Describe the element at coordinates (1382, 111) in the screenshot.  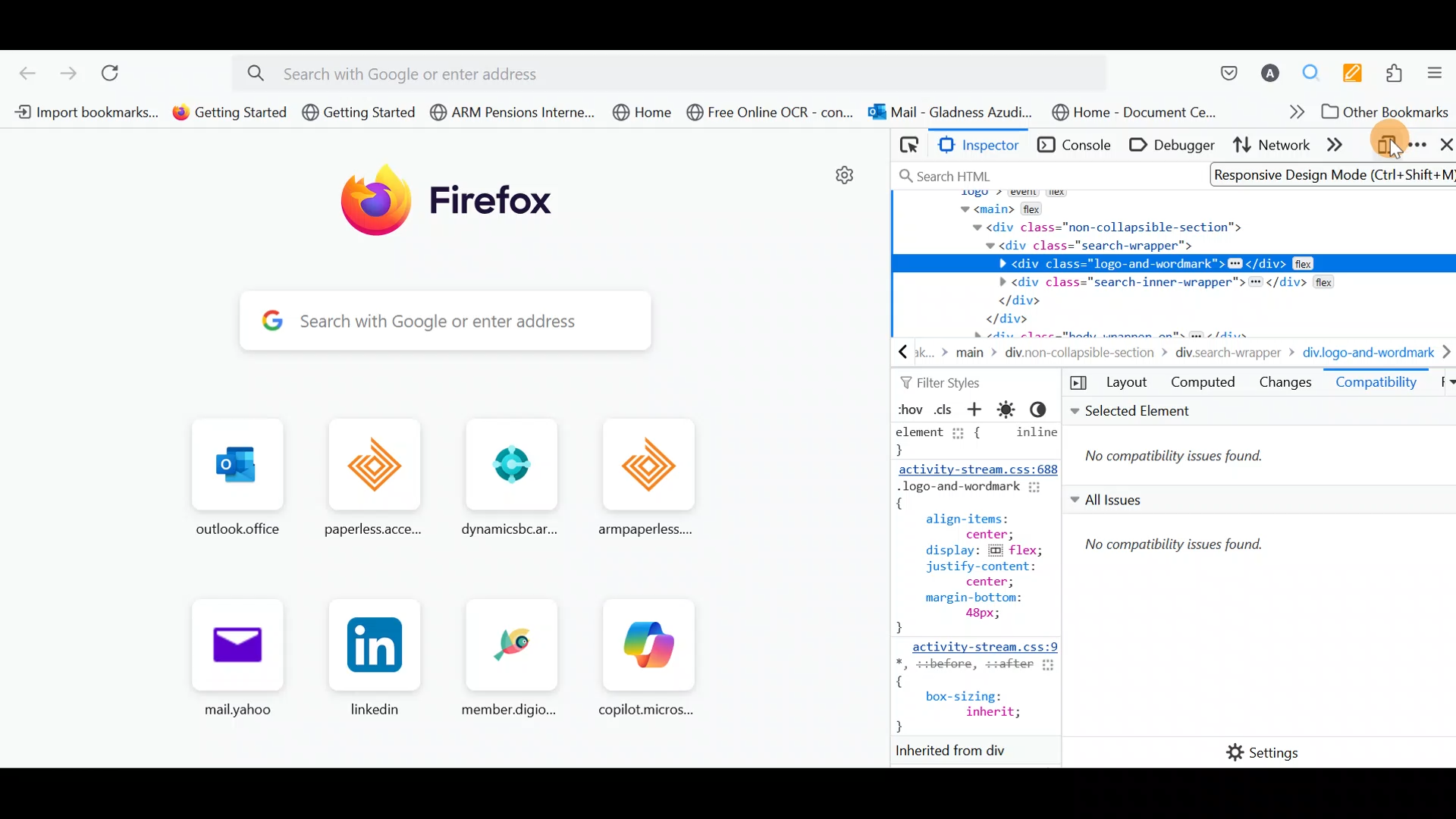
I see `Other bookmarks` at that location.